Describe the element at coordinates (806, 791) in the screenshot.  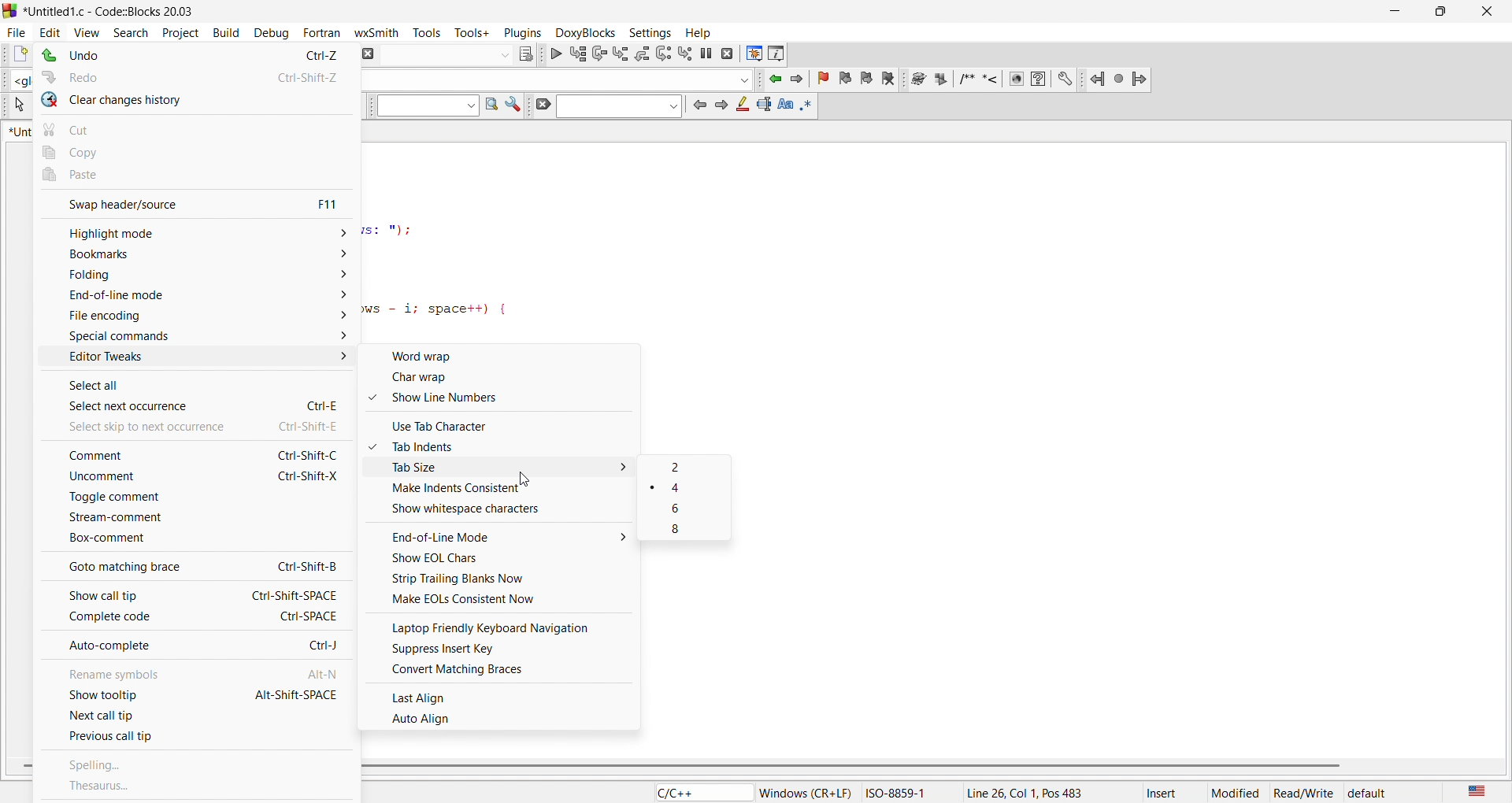
I see `‘Windows (CR+LF) ` at that location.